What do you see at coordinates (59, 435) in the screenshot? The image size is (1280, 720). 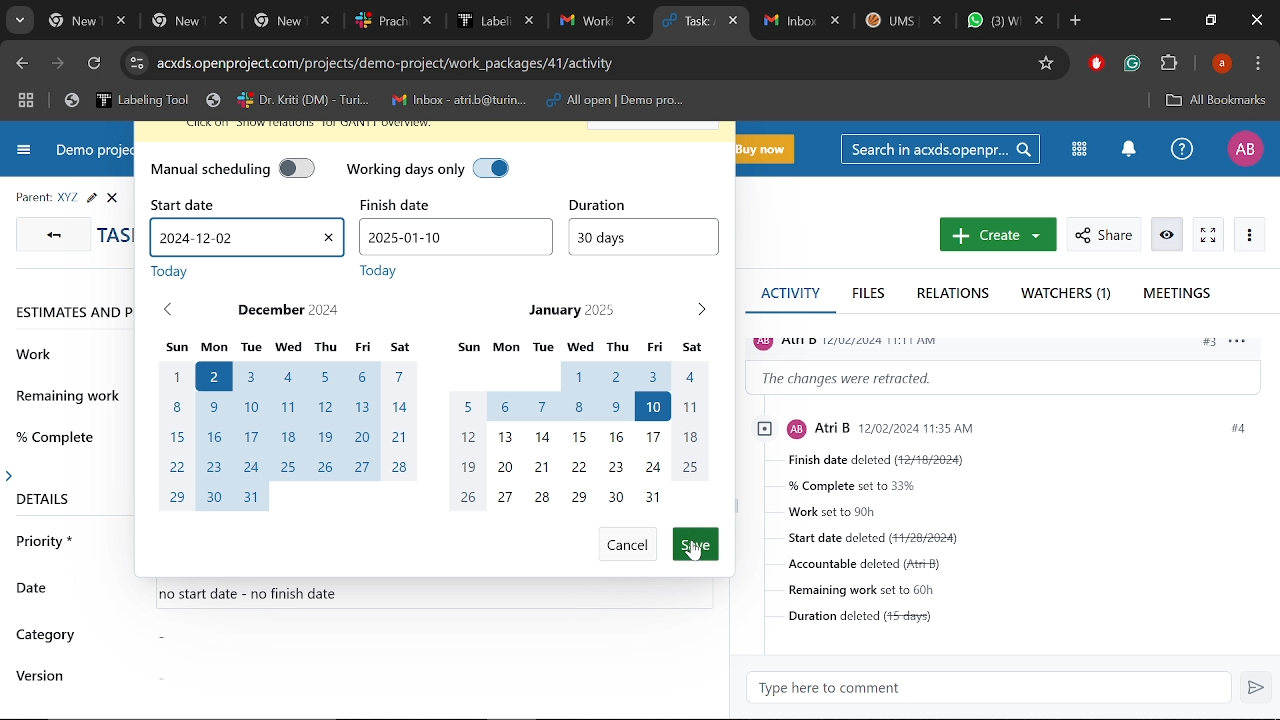 I see `% complete` at bounding box center [59, 435].